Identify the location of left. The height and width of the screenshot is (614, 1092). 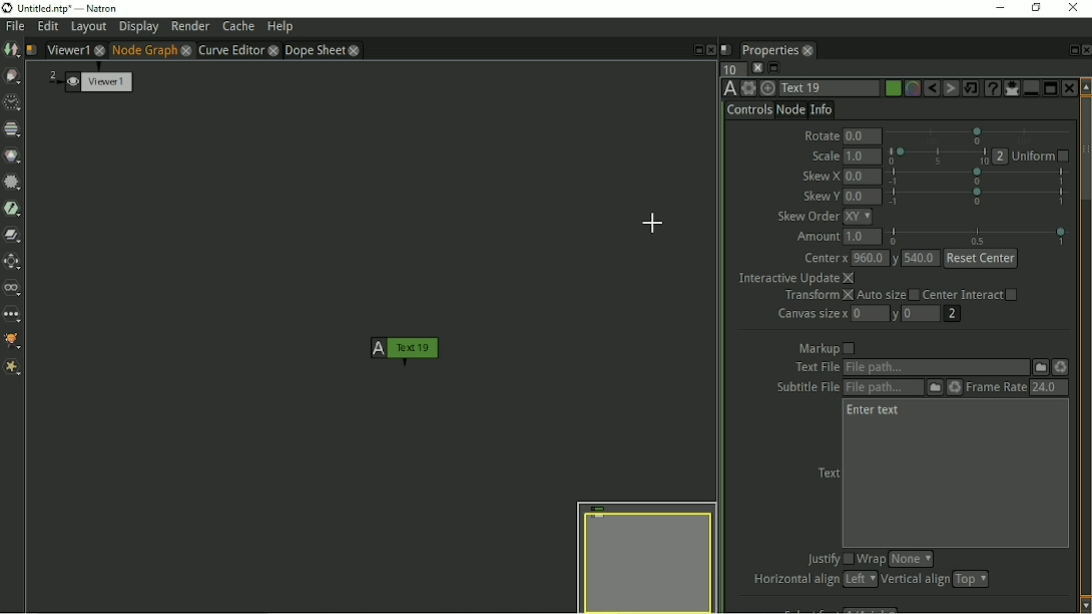
(858, 579).